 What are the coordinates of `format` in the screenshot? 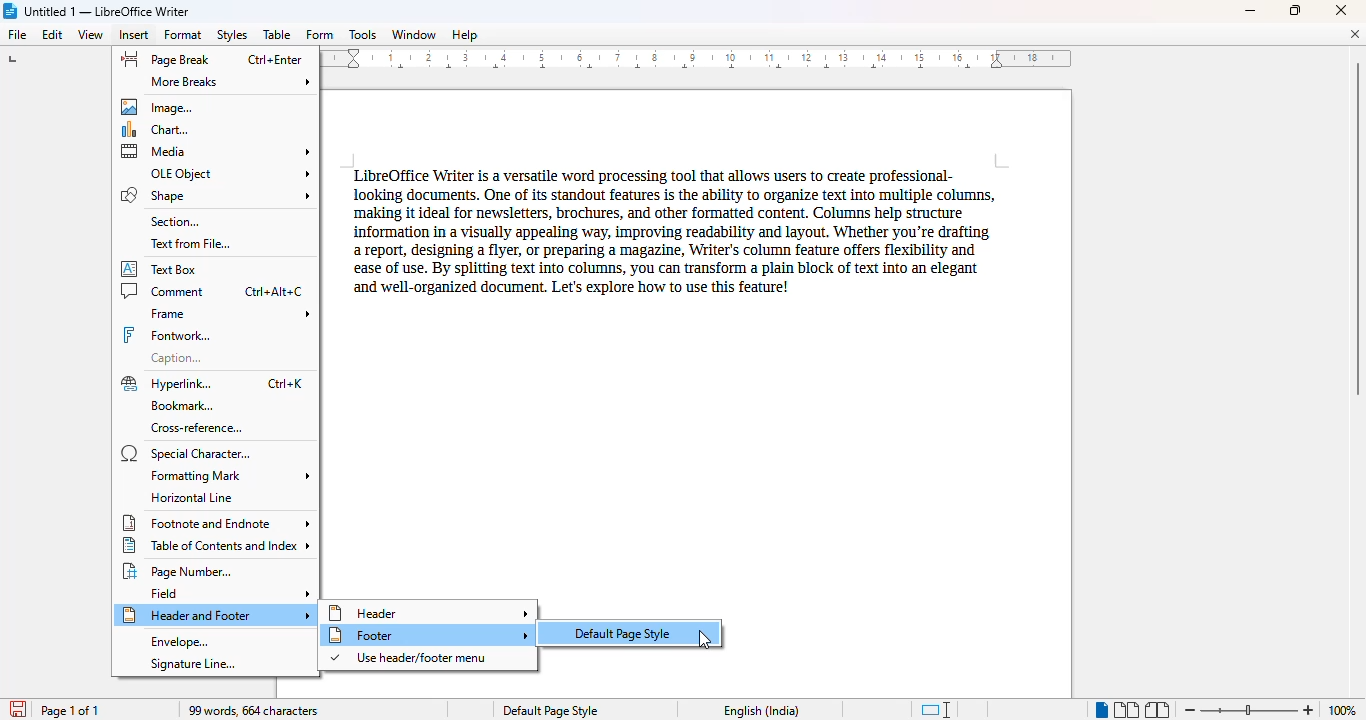 It's located at (183, 34).